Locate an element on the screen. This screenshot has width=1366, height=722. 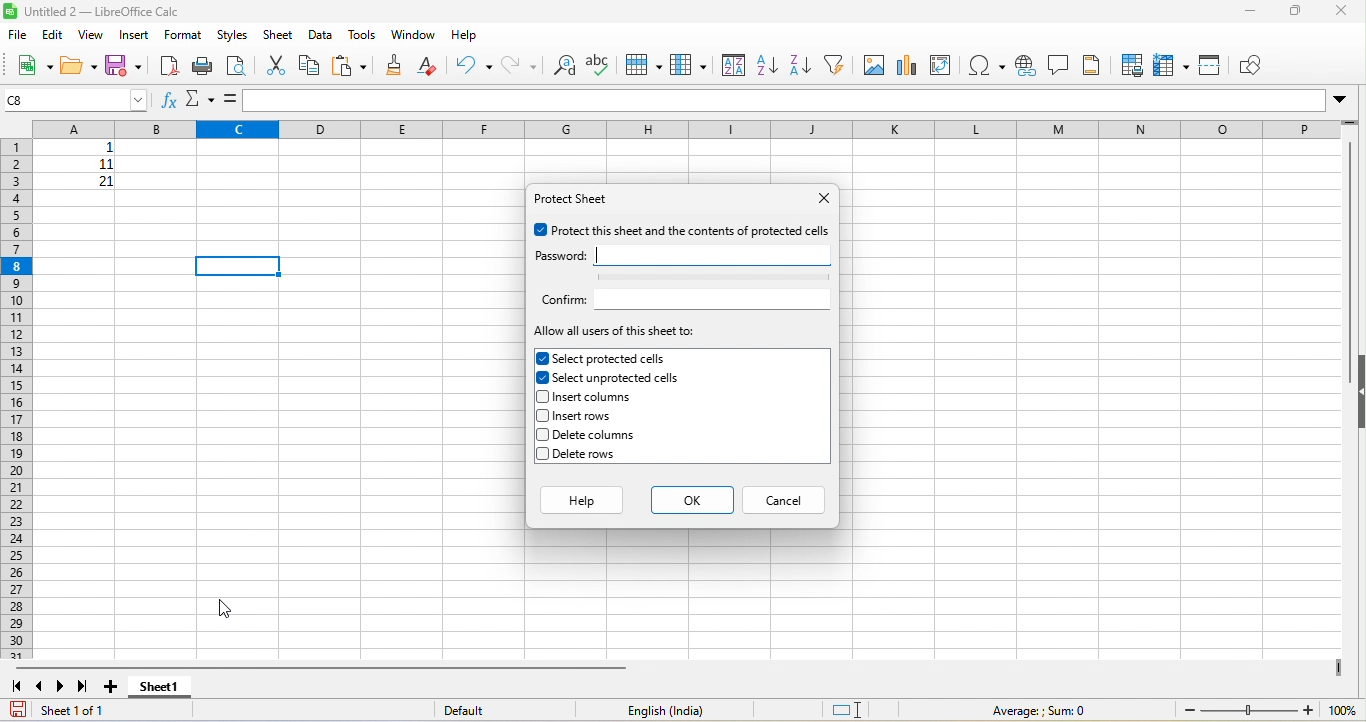
print is located at coordinates (203, 64).